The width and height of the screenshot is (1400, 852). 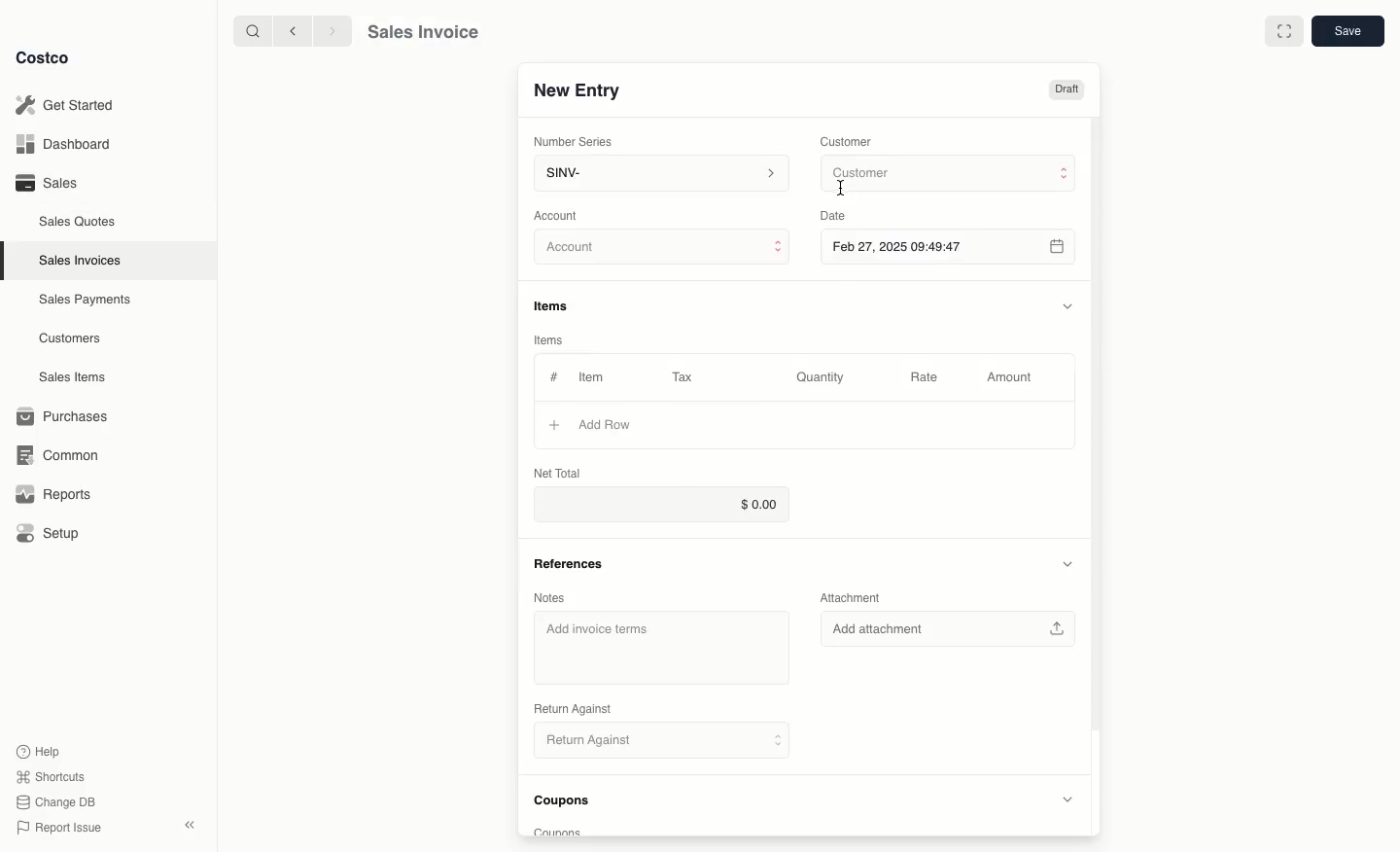 What do you see at coordinates (830, 216) in the screenshot?
I see `Date` at bounding box center [830, 216].